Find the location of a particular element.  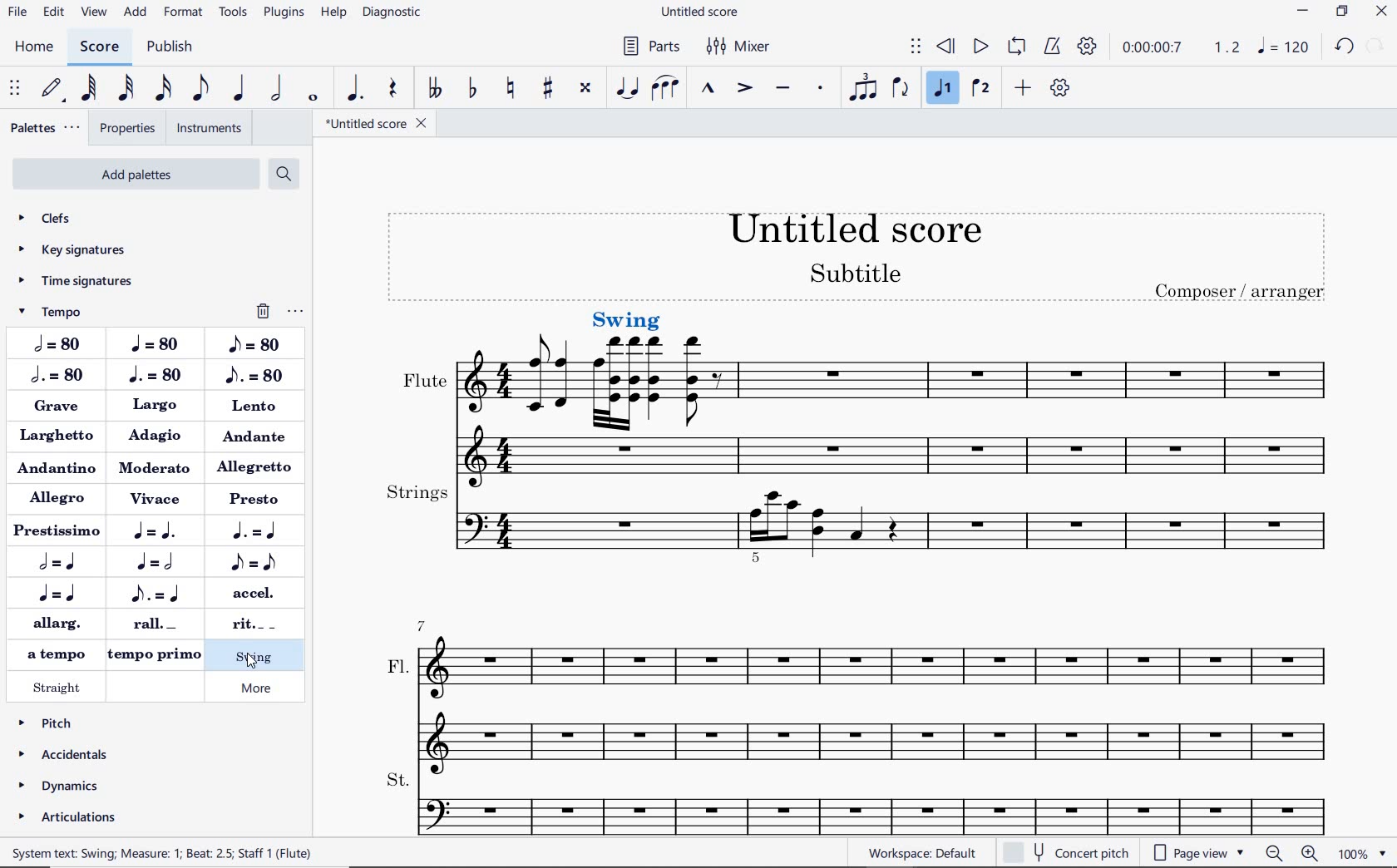

METRIC MODULATION: EIGHTH NOTE is located at coordinates (252, 562).